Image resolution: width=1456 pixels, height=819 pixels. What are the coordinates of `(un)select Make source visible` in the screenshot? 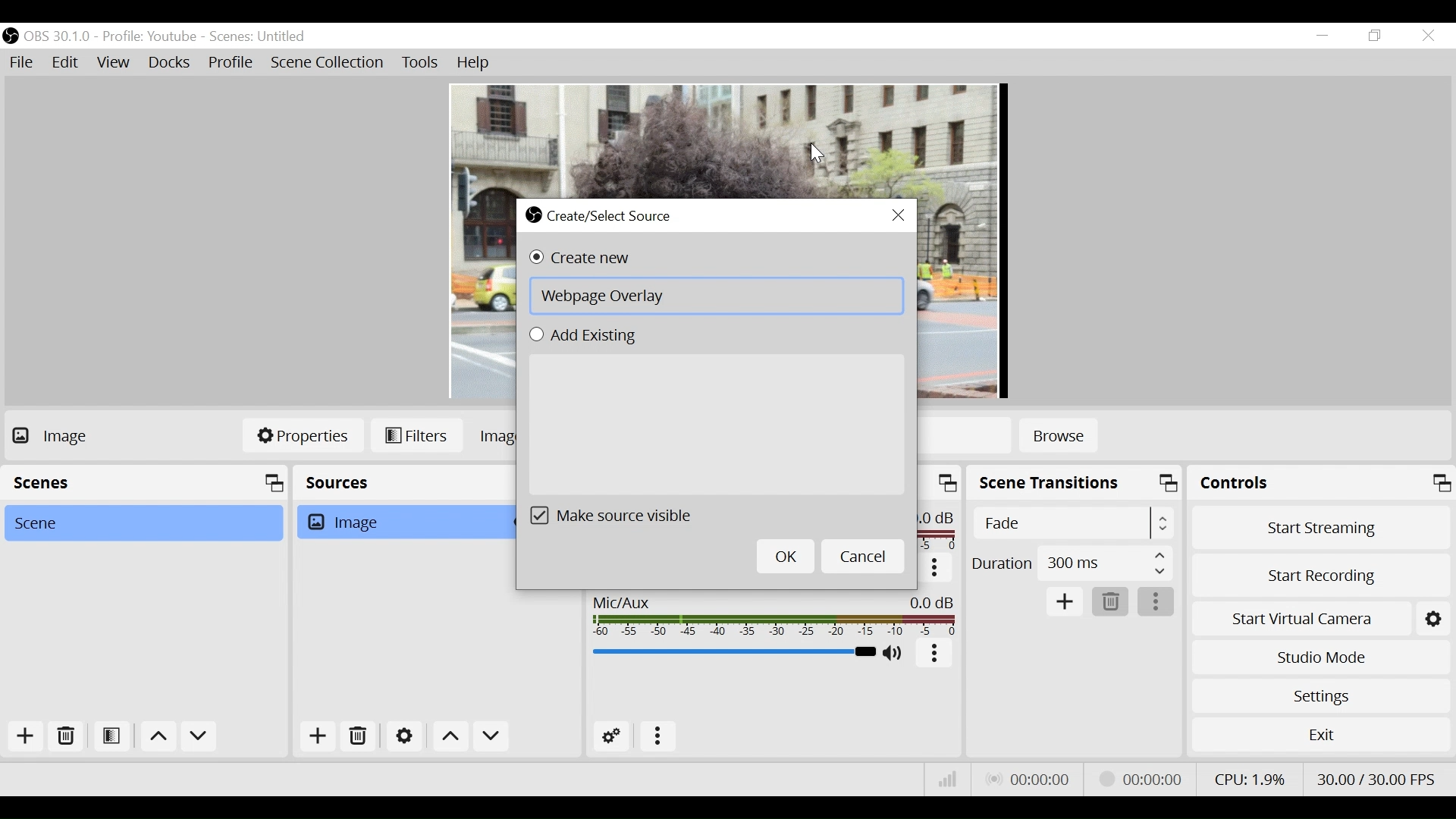 It's located at (621, 516).